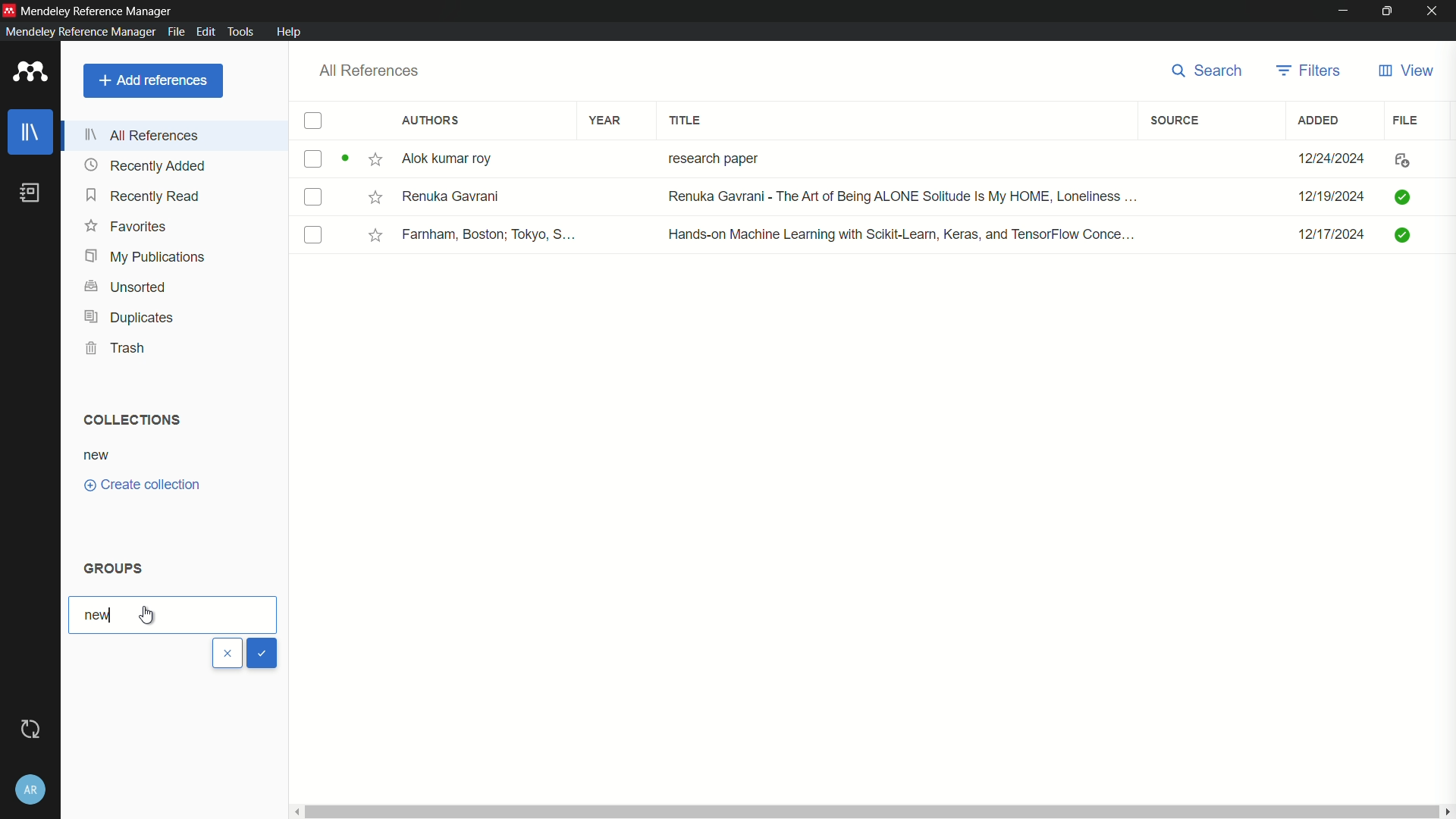 The height and width of the screenshot is (819, 1456). Describe the element at coordinates (30, 790) in the screenshot. I see `account and help` at that location.